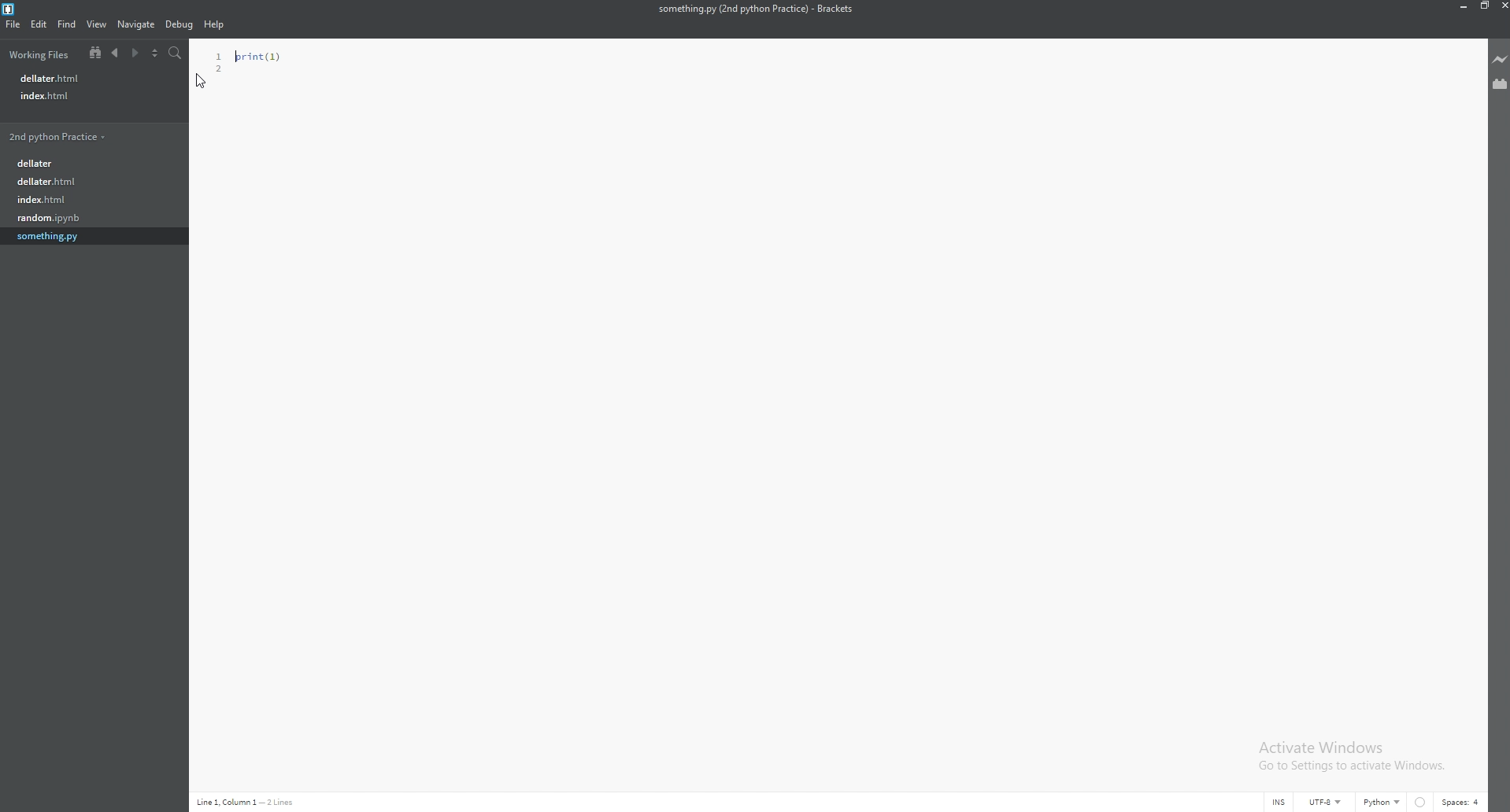  I want to click on minimize, so click(1462, 6).